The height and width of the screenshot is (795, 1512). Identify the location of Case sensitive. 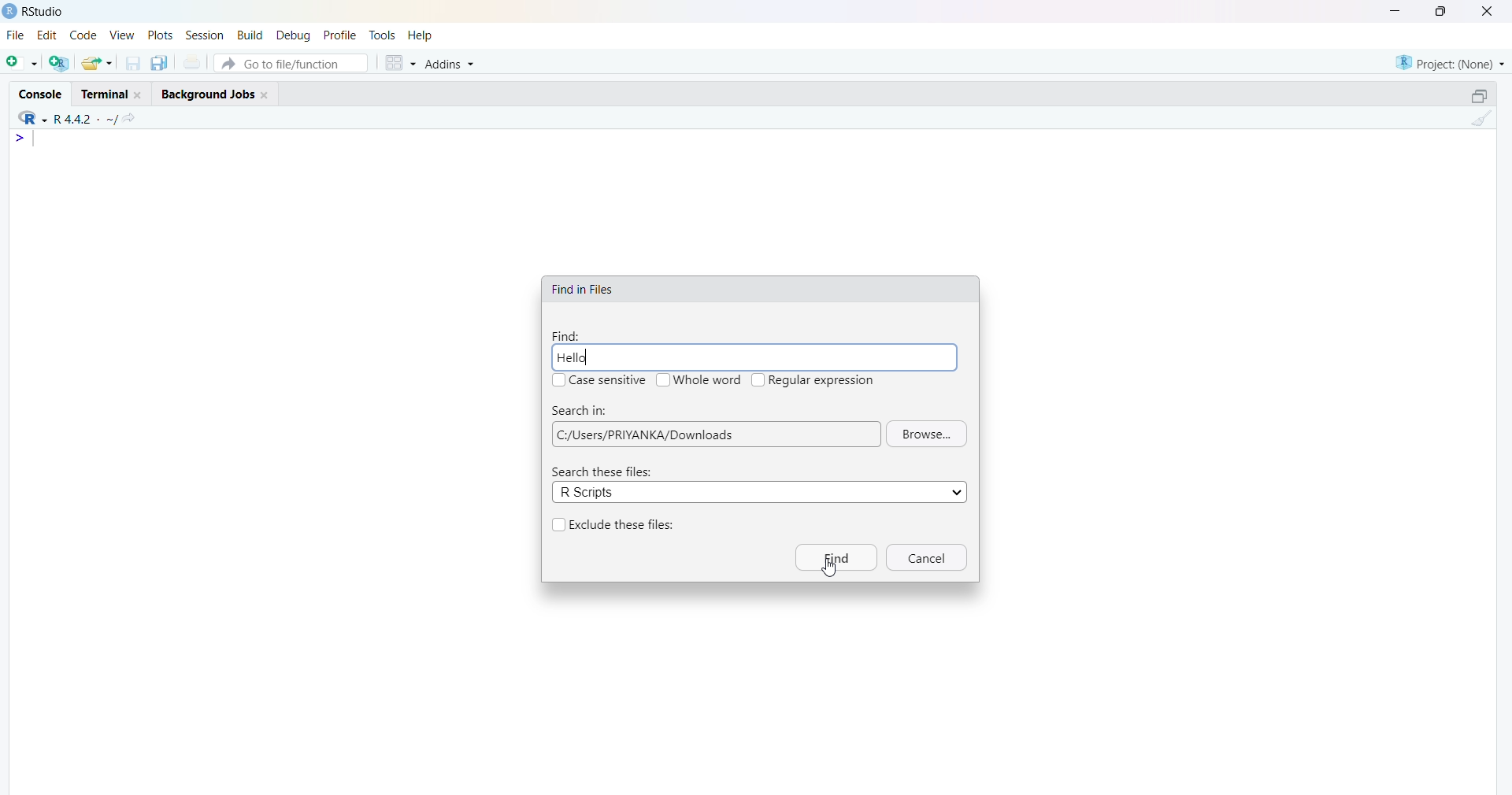
(610, 380).